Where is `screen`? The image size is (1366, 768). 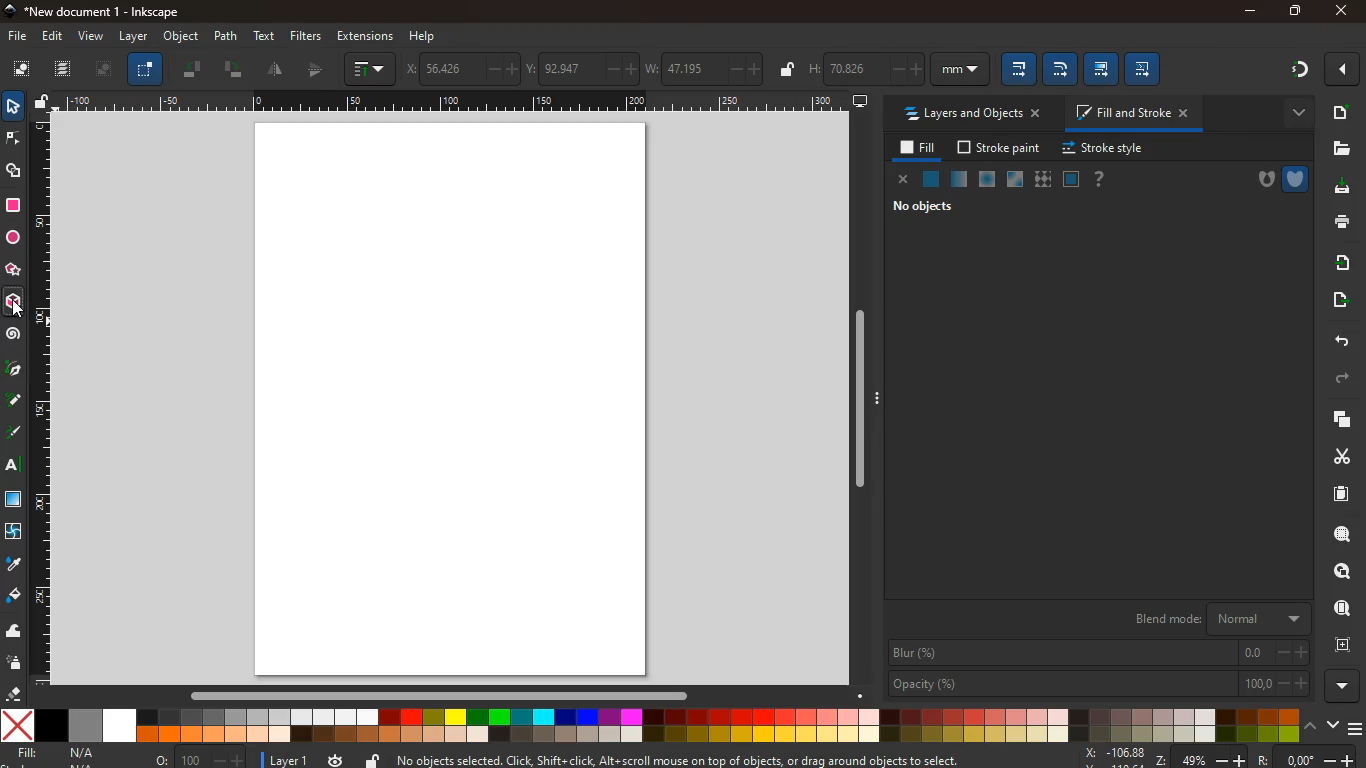
screen is located at coordinates (16, 502).